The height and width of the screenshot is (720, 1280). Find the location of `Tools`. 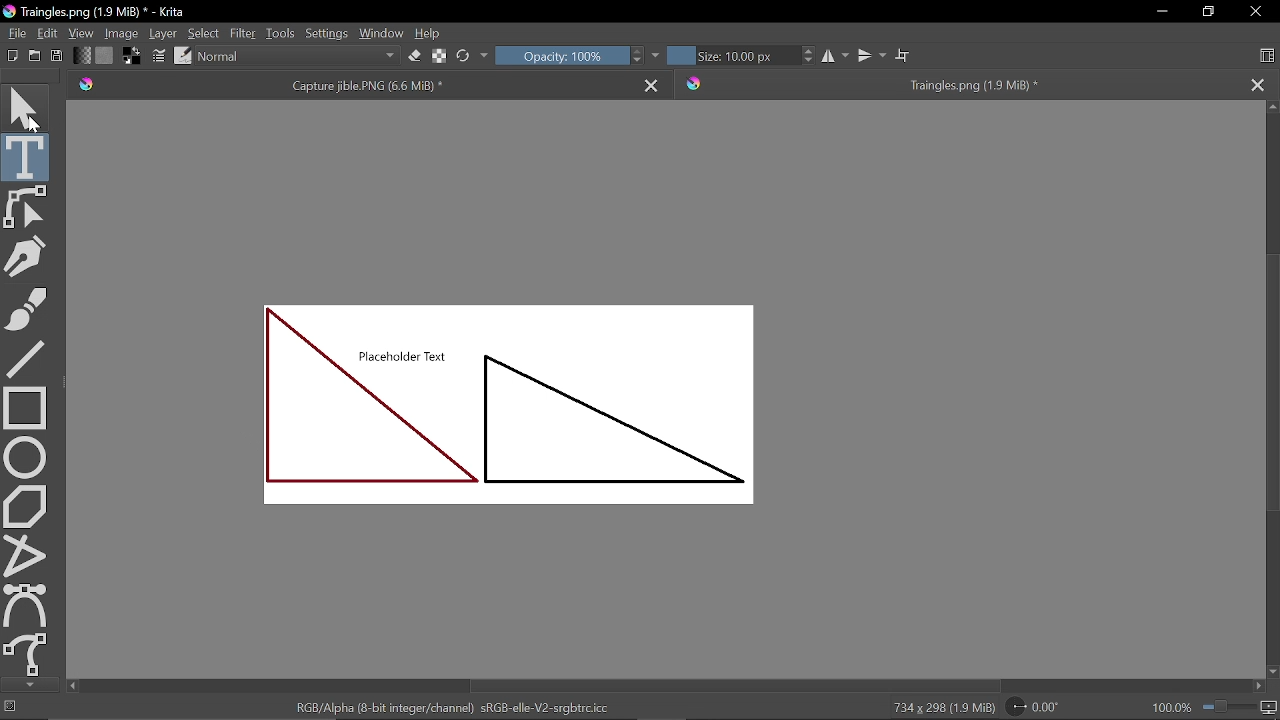

Tools is located at coordinates (281, 32).